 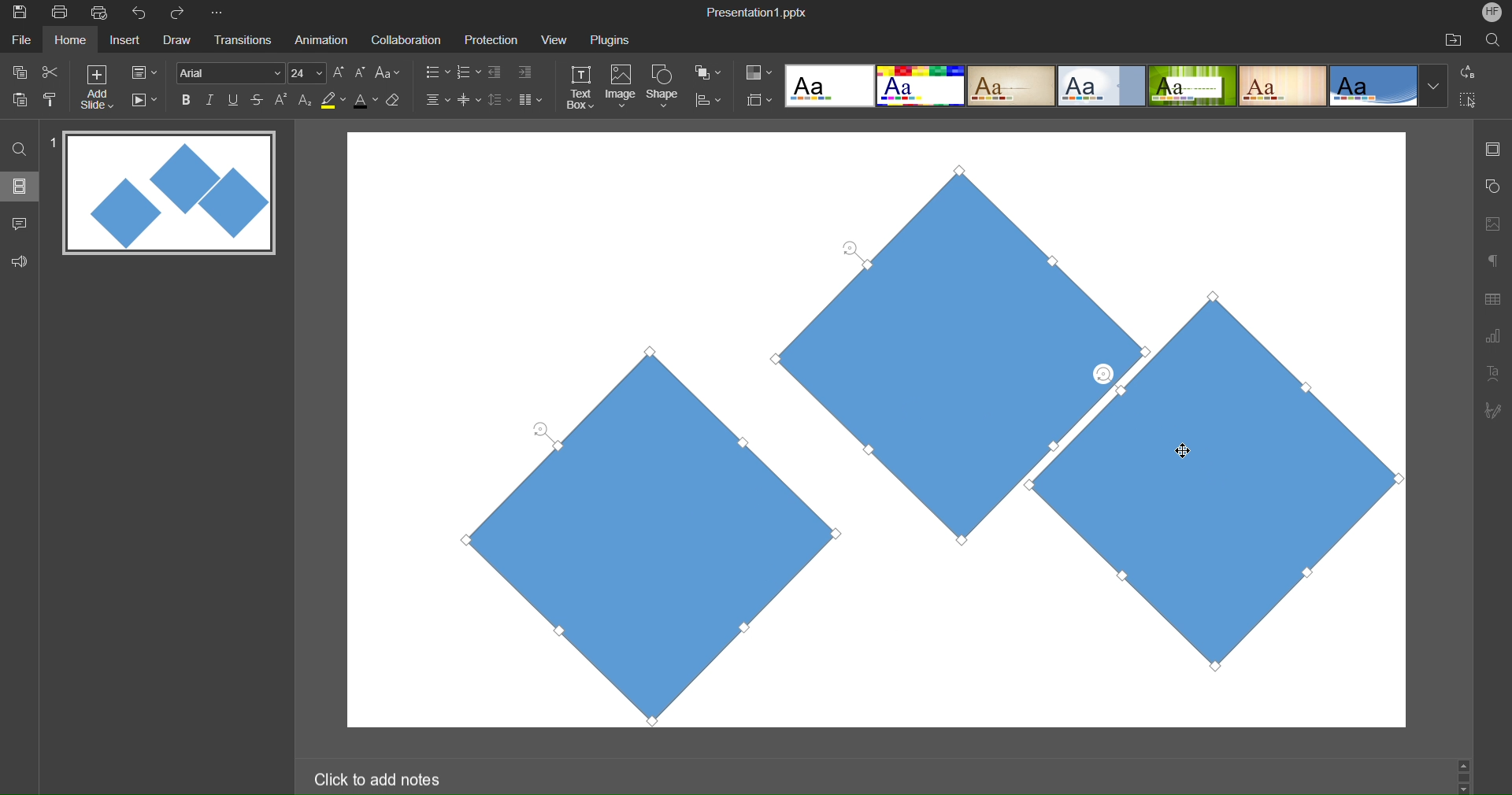 I want to click on Font, so click(x=228, y=72).